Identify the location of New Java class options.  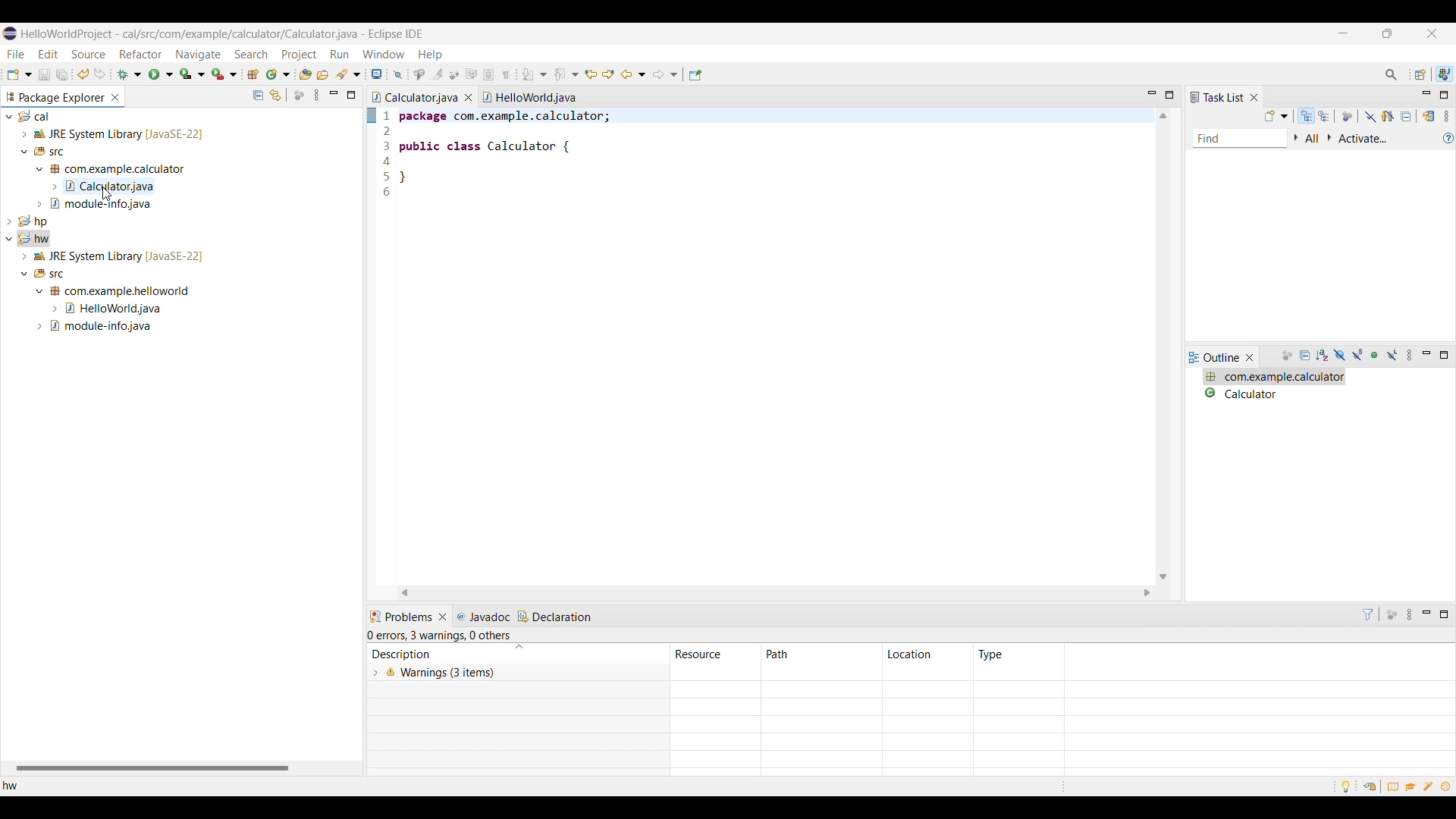
(278, 74).